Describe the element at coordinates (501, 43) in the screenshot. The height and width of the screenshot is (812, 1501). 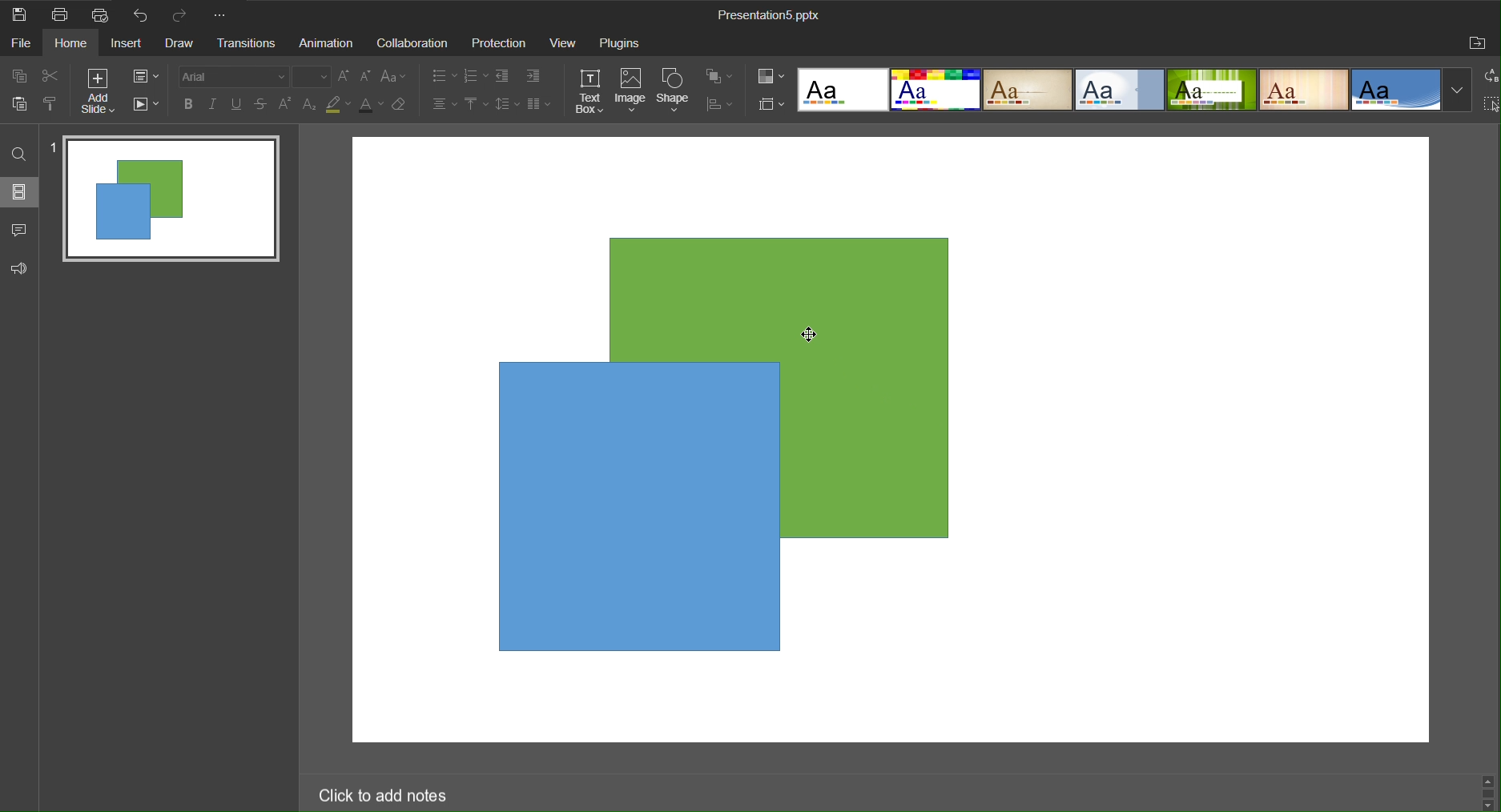
I see `Protection` at that location.